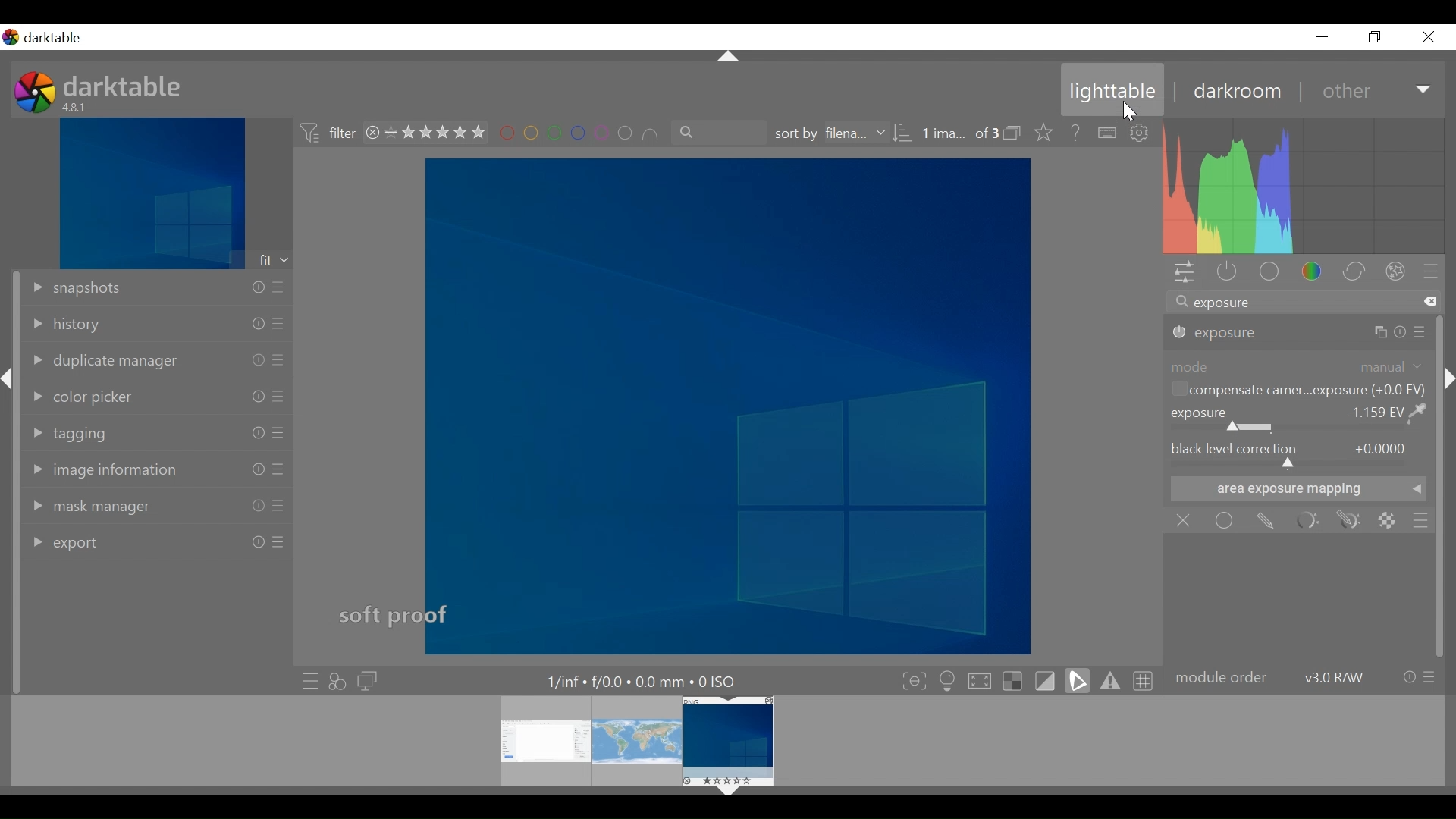 Image resolution: width=1456 pixels, height=819 pixels. What do you see at coordinates (259, 541) in the screenshot?
I see `info` at bounding box center [259, 541].